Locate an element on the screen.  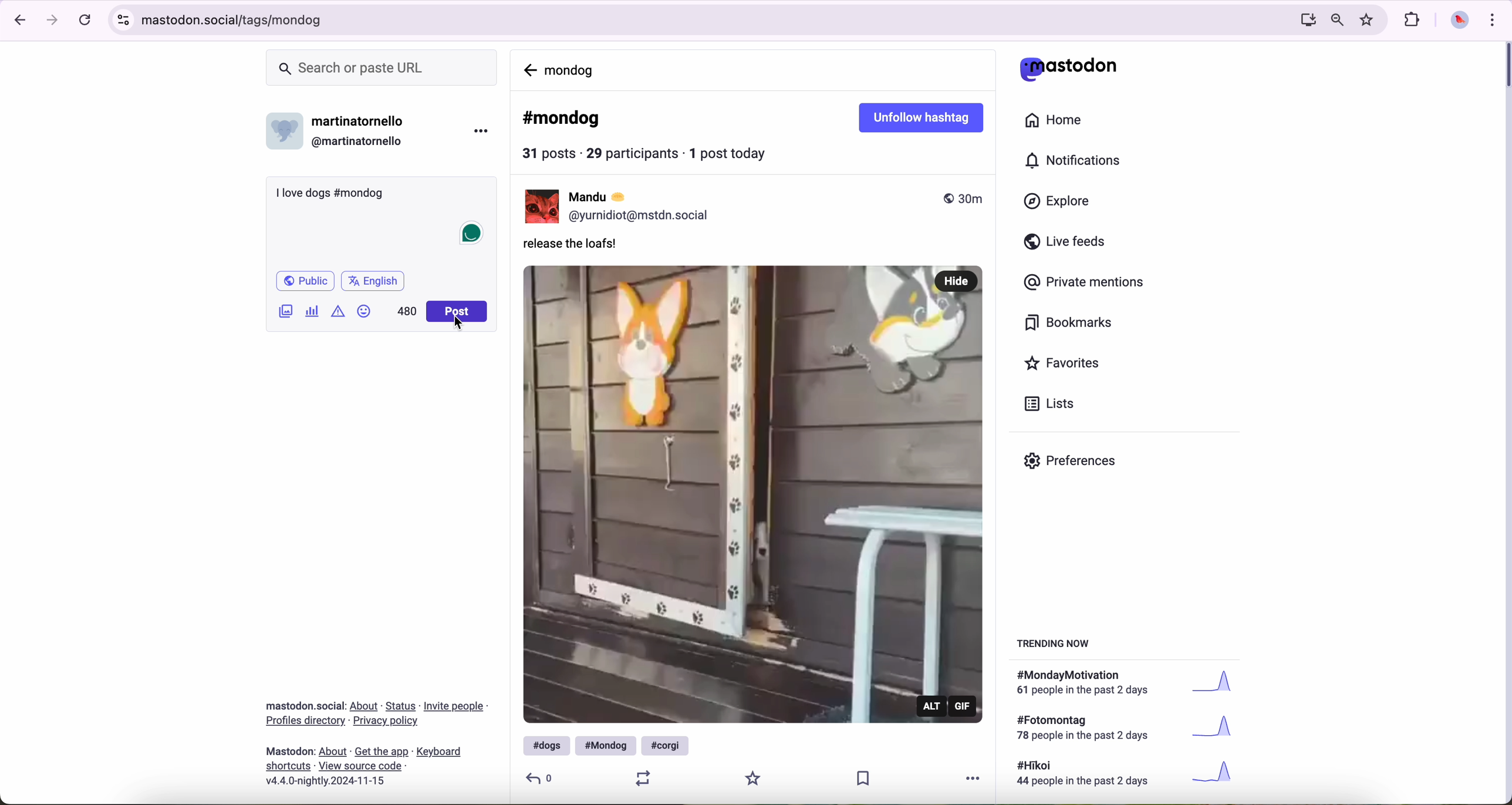
notifications is located at coordinates (1077, 161).